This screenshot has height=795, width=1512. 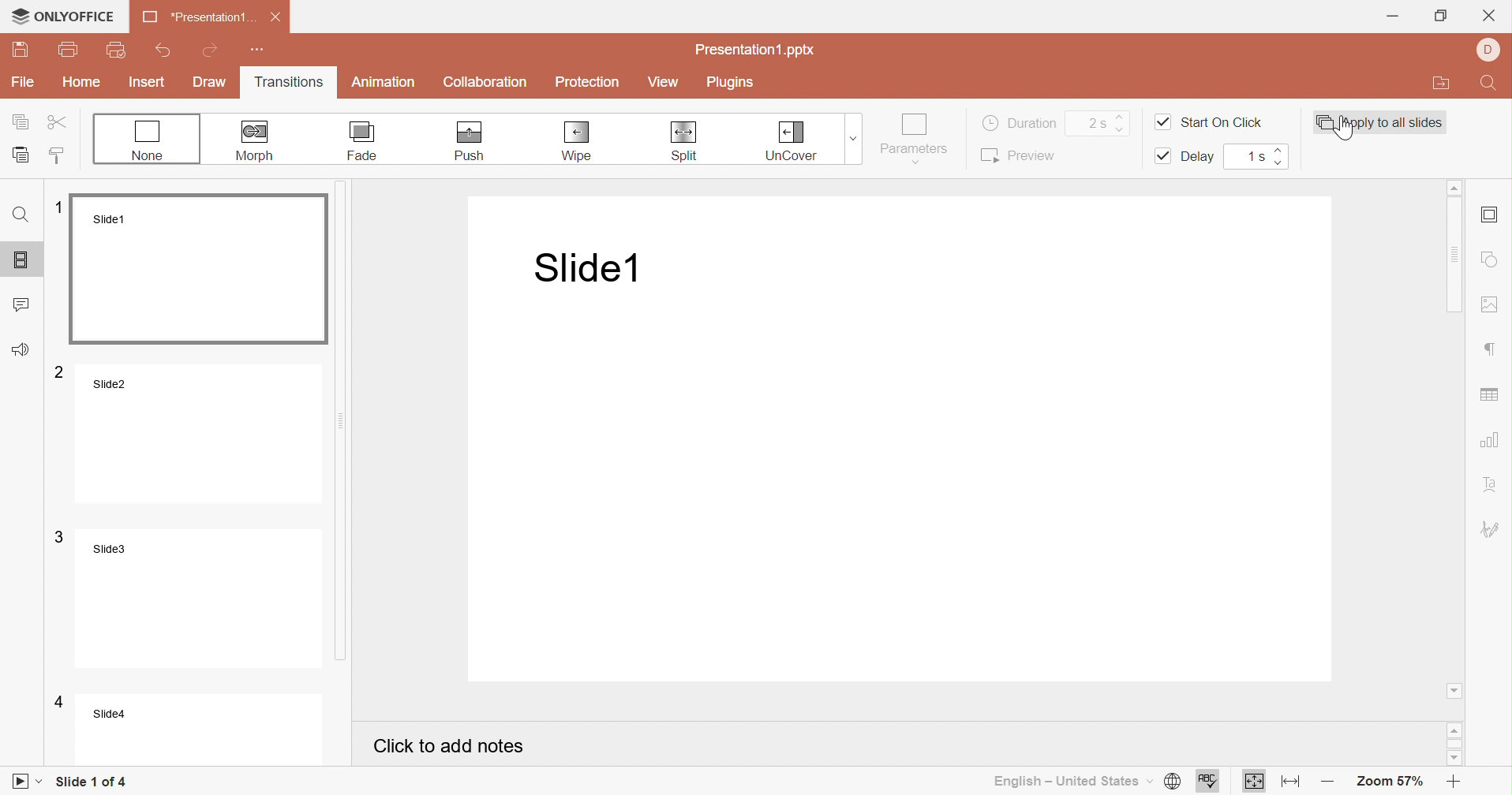 I want to click on Save, so click(x=19, y=51).